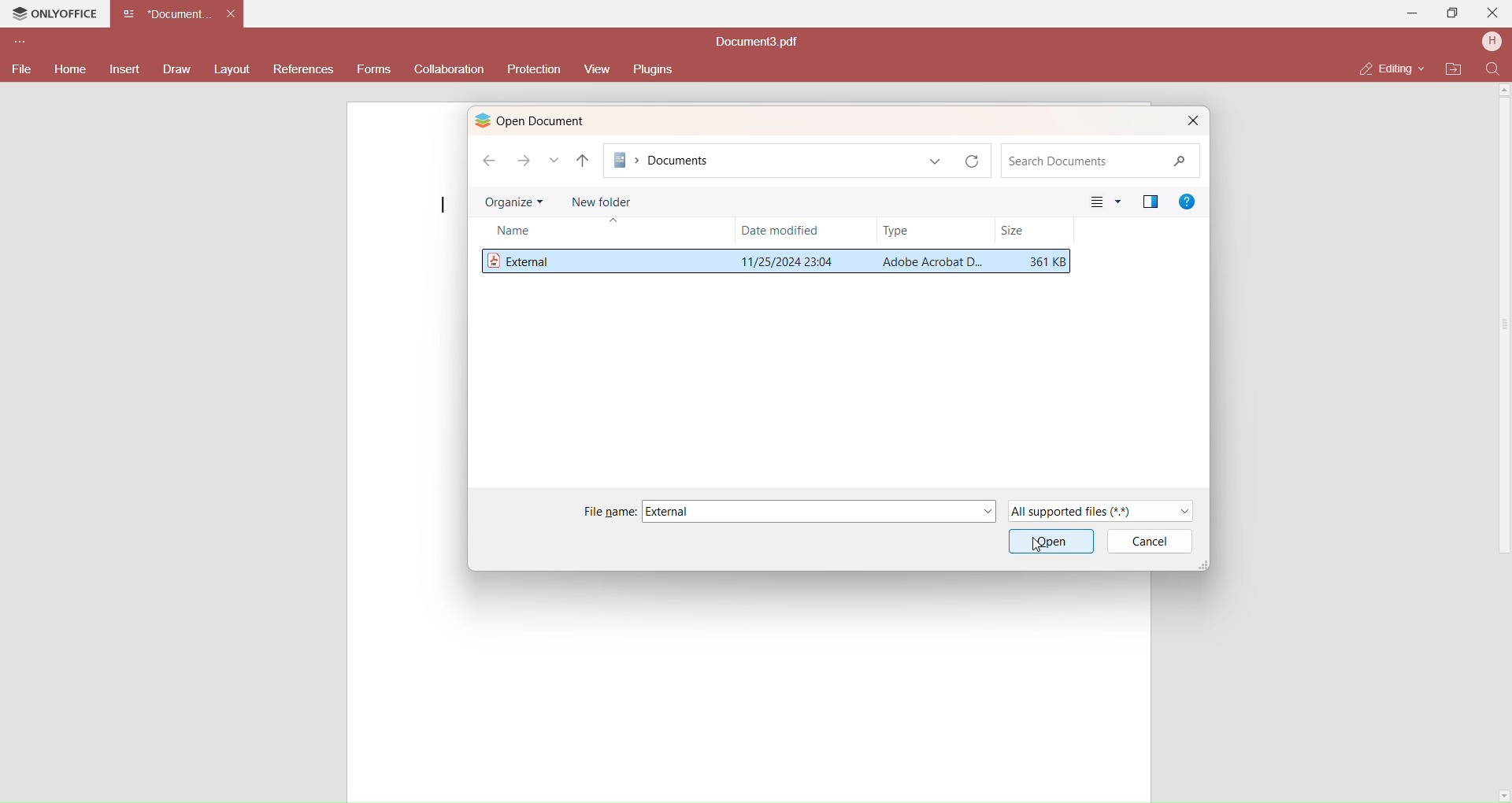  I want to click on document title, so click(759, 43).